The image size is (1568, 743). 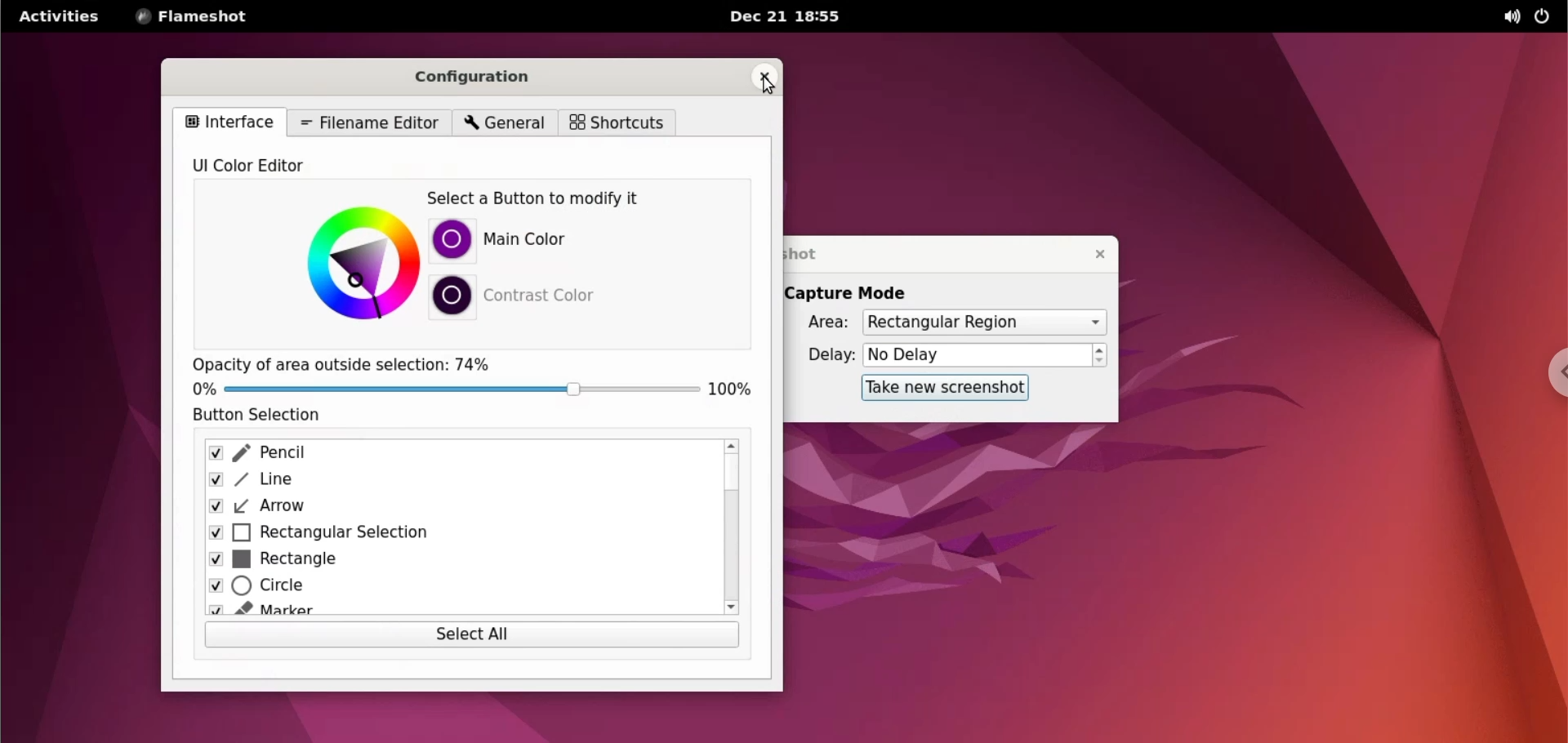 I want to click on configuration, so click(x=481, y=77).